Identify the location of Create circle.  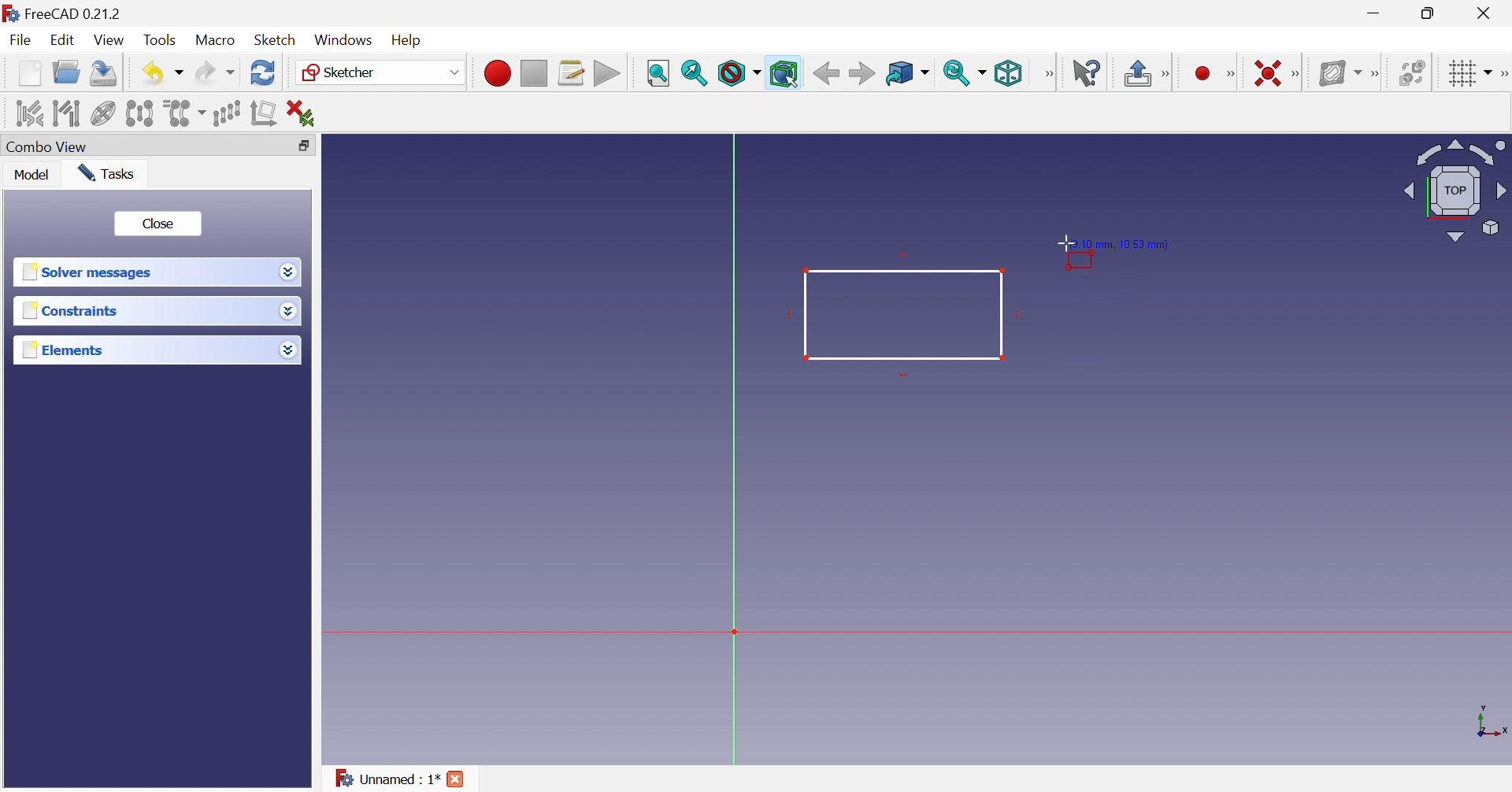
(1203, 74).